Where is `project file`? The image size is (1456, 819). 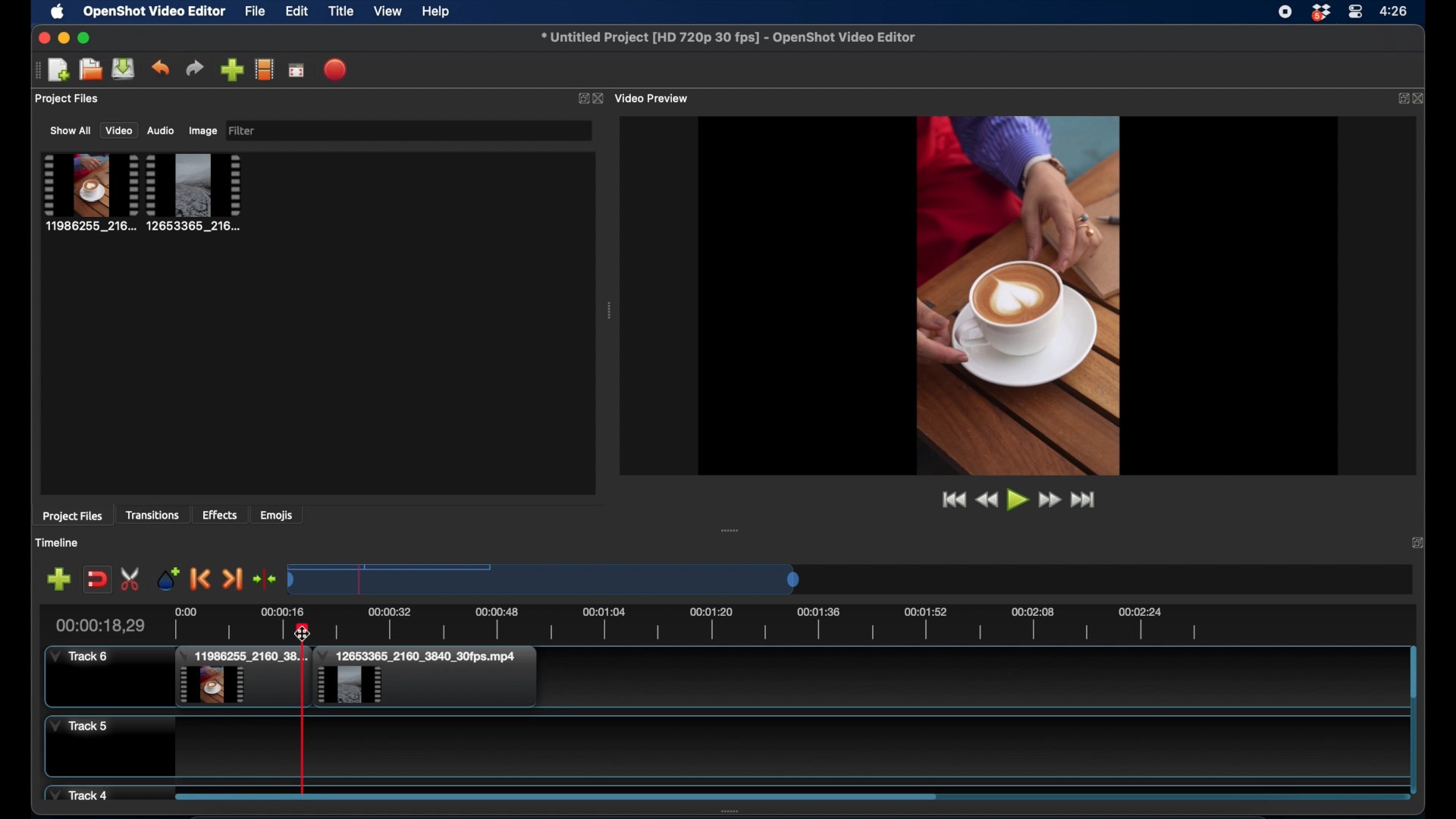 project file is located at coordinates (195, 192).